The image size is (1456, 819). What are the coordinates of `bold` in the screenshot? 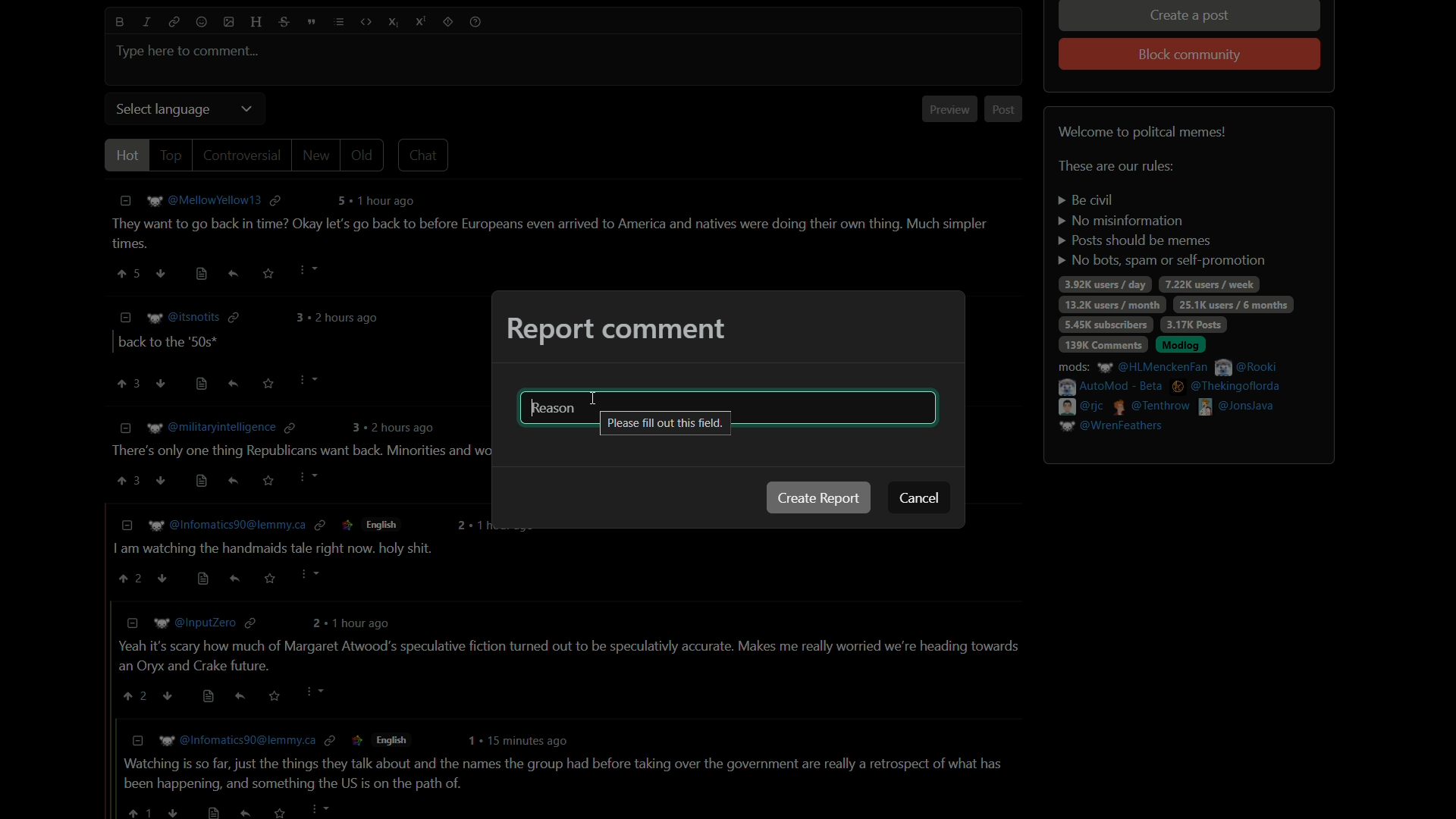 It's located at (120, 22).